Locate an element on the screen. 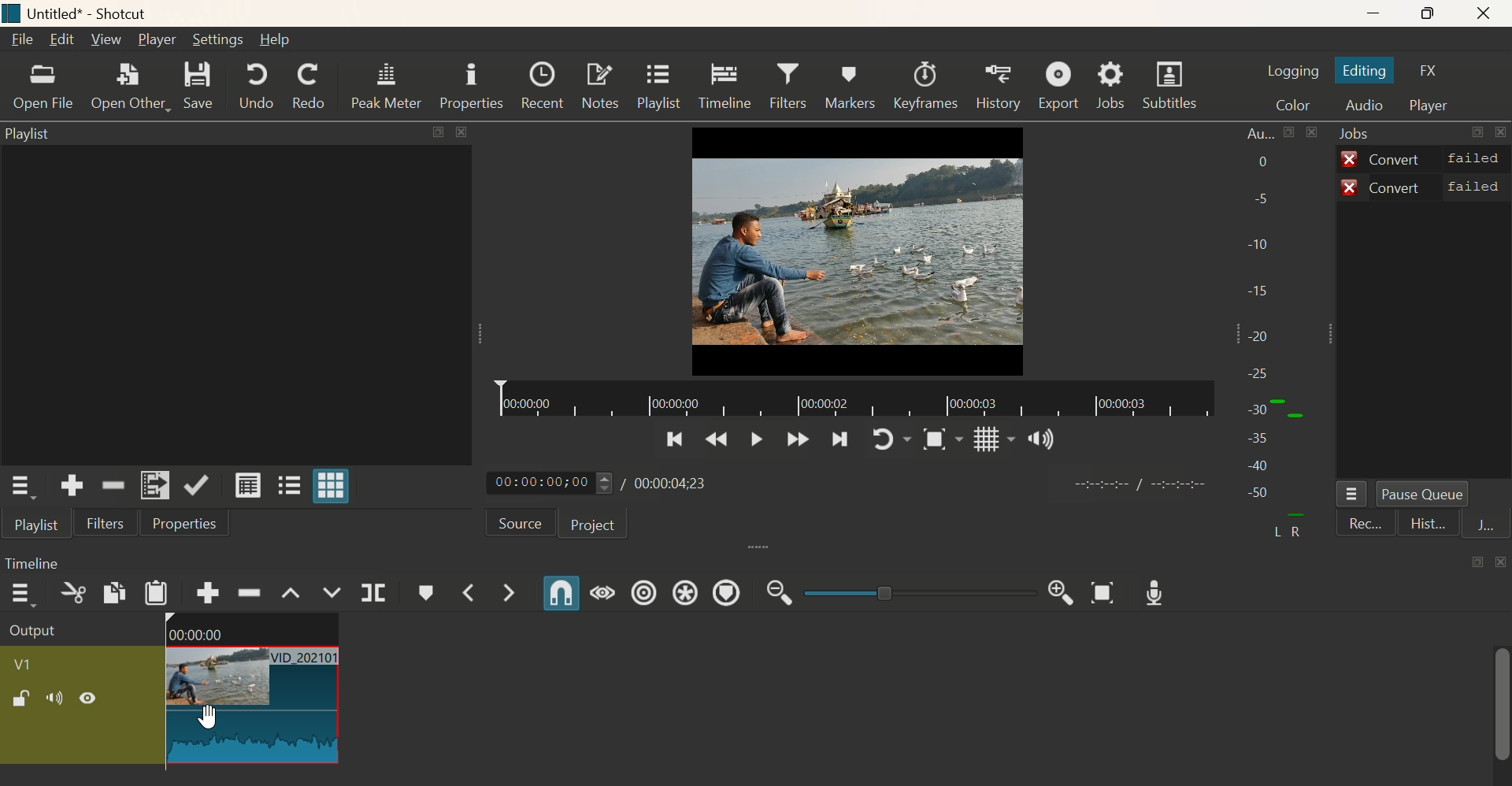  Jobs is located at coordinates (1117, 85).